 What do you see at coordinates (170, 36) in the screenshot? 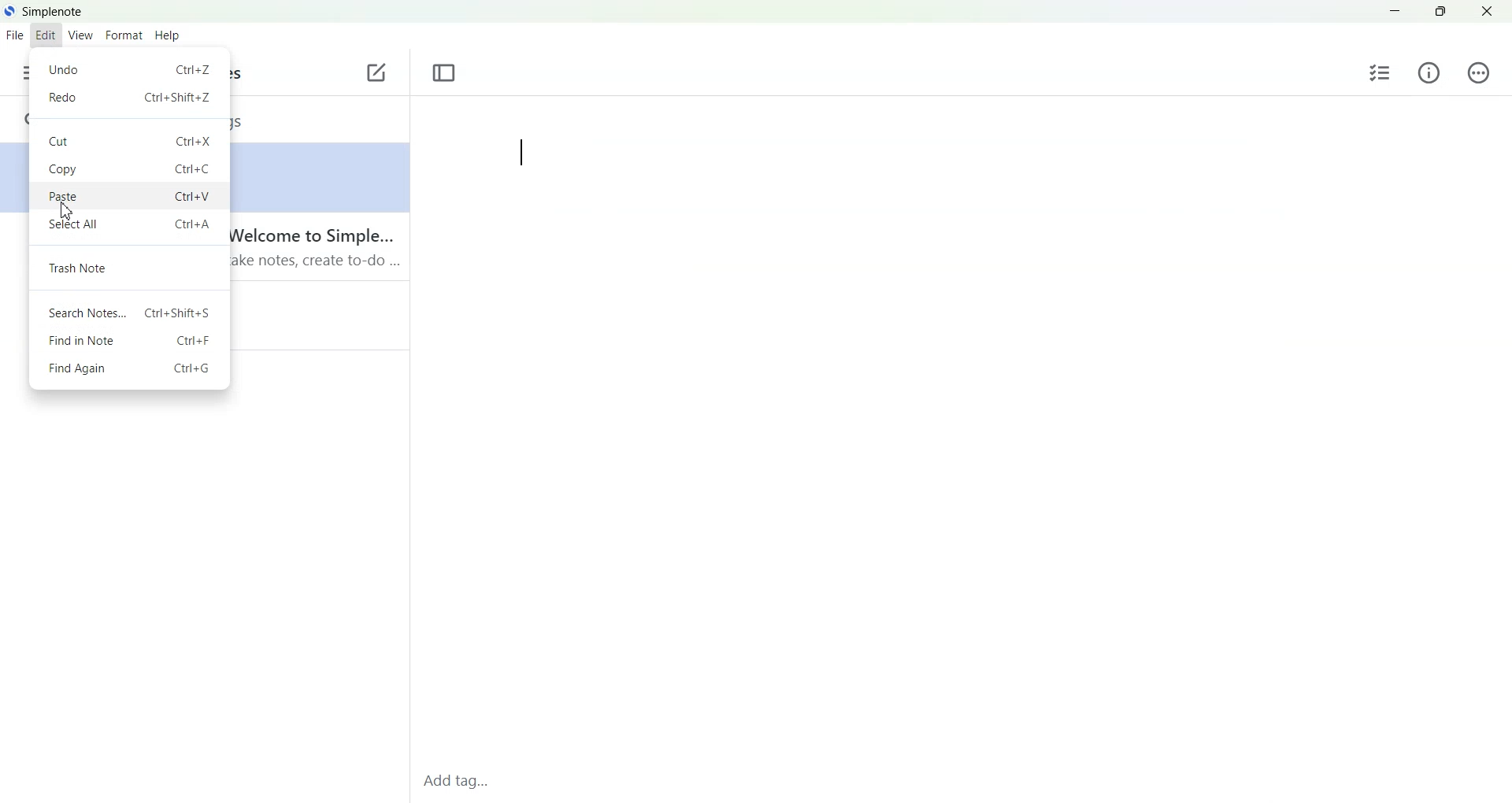
I see `Help` at bounding box center [170, 36].